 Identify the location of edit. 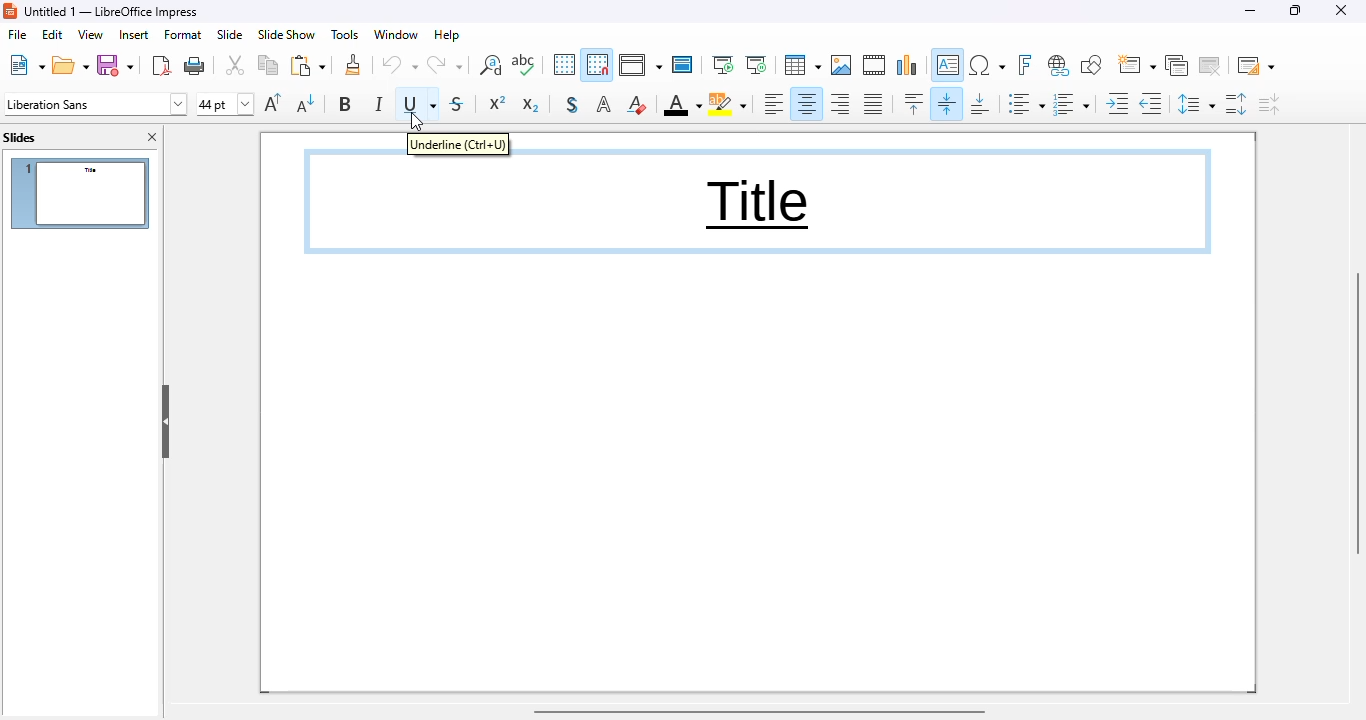
(53, 35).